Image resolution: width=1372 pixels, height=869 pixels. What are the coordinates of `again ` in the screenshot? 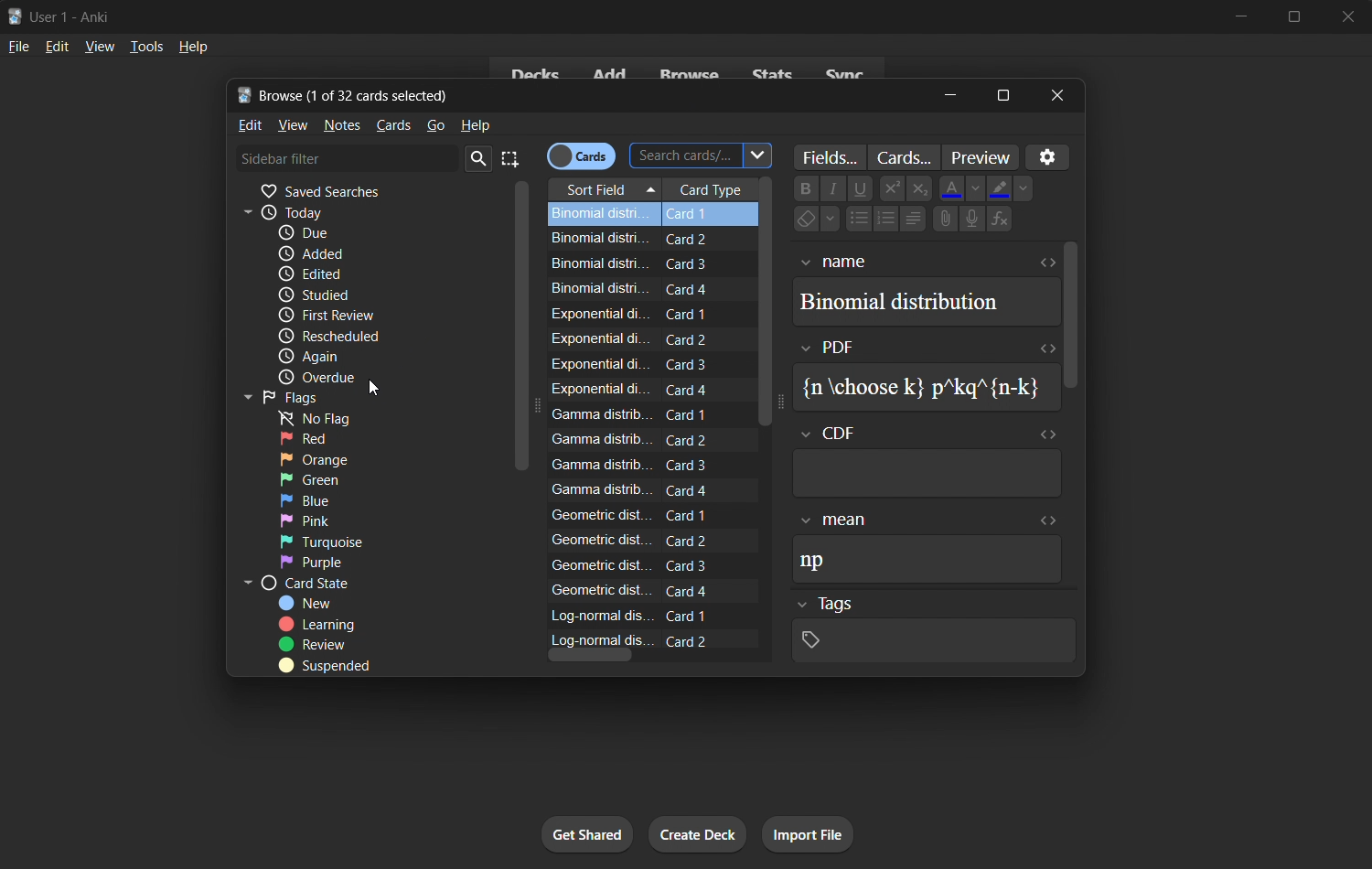 It's located at (326, 357).